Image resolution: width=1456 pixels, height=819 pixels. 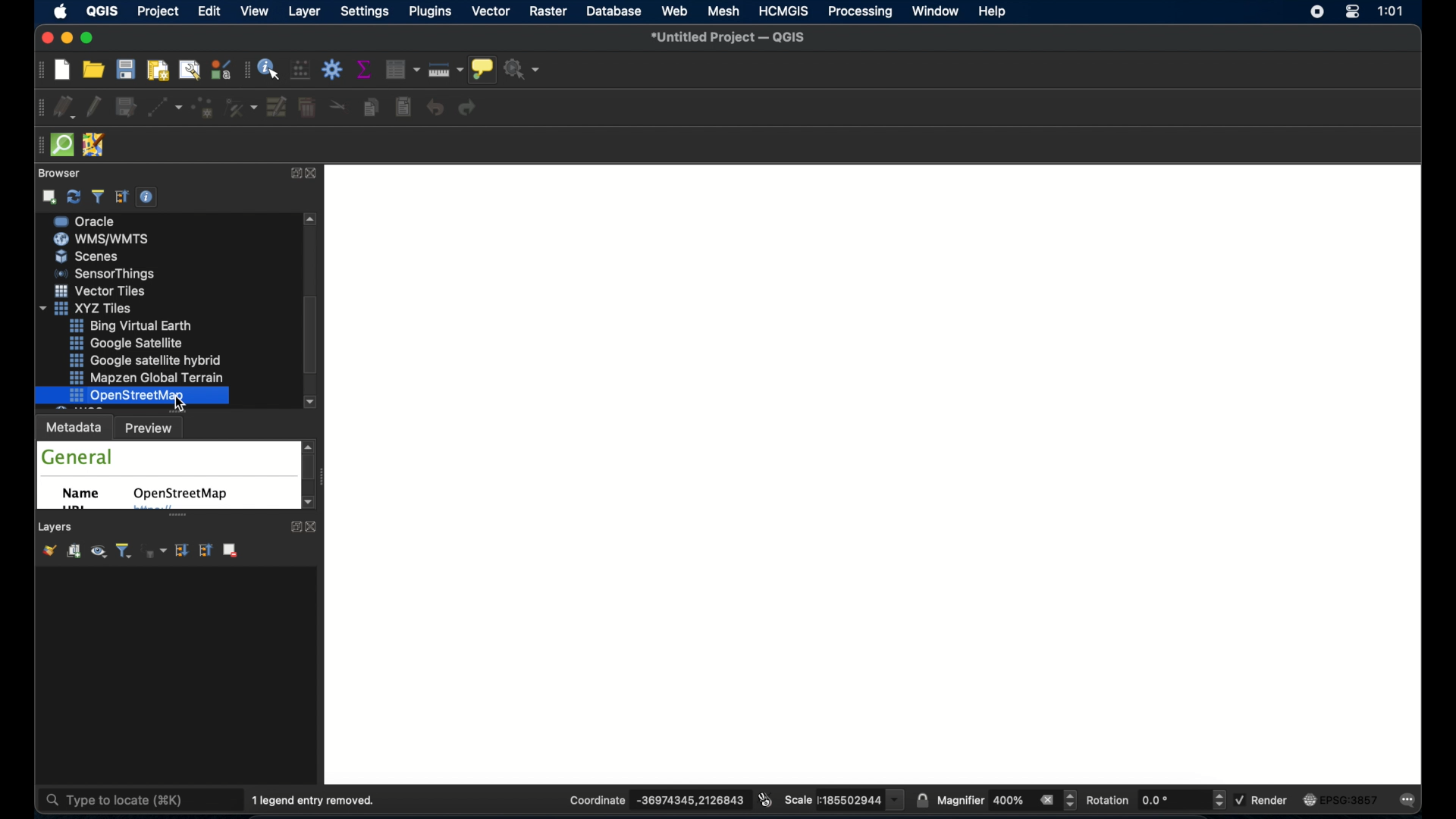 What do you see at coordinates (734, 37) in the screenshot?
I see `untitled project QGIS` at bounding box center [734, 37].